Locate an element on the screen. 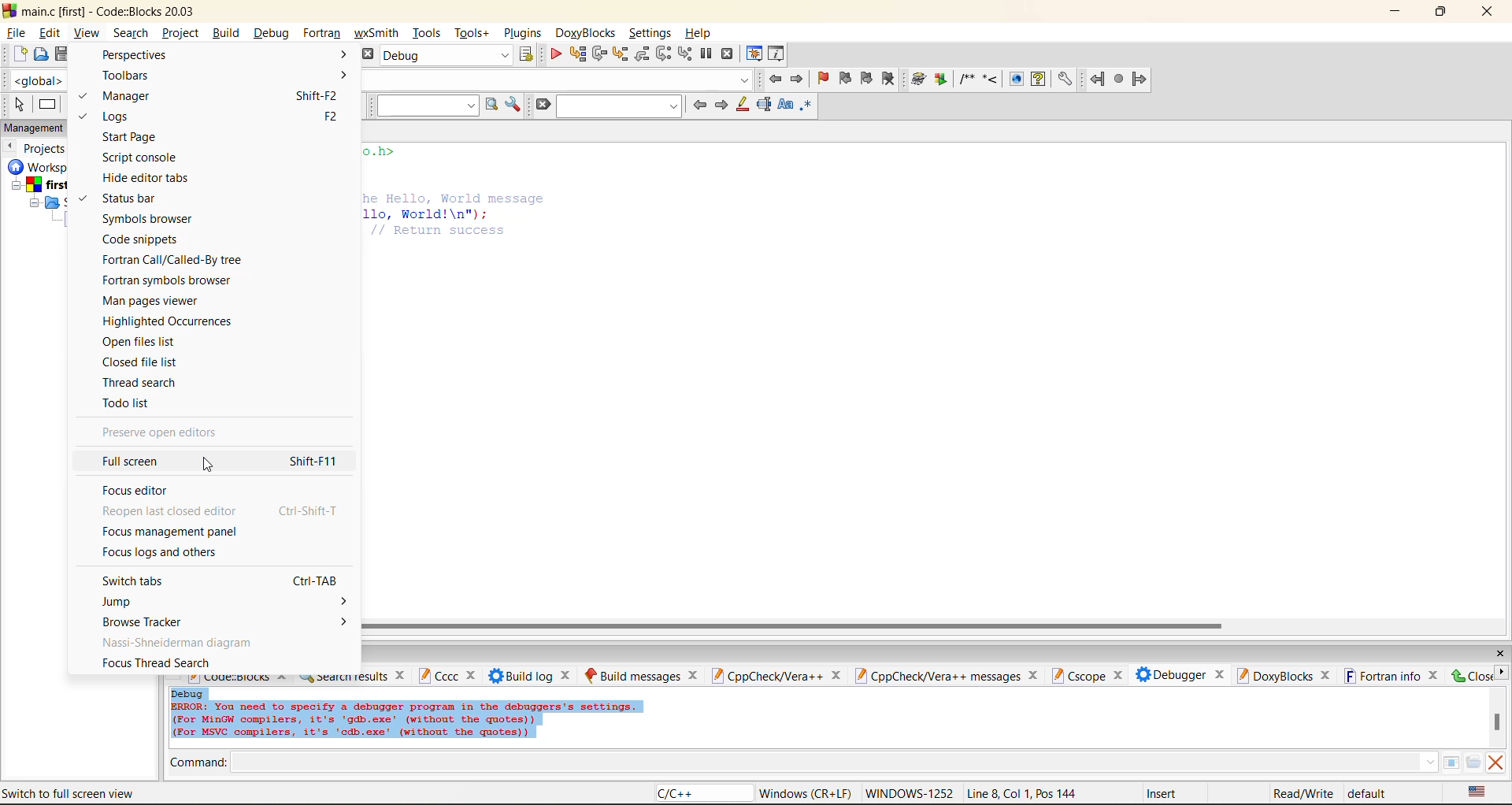  vertical scroll bar is located at coordinates (1497, 722).